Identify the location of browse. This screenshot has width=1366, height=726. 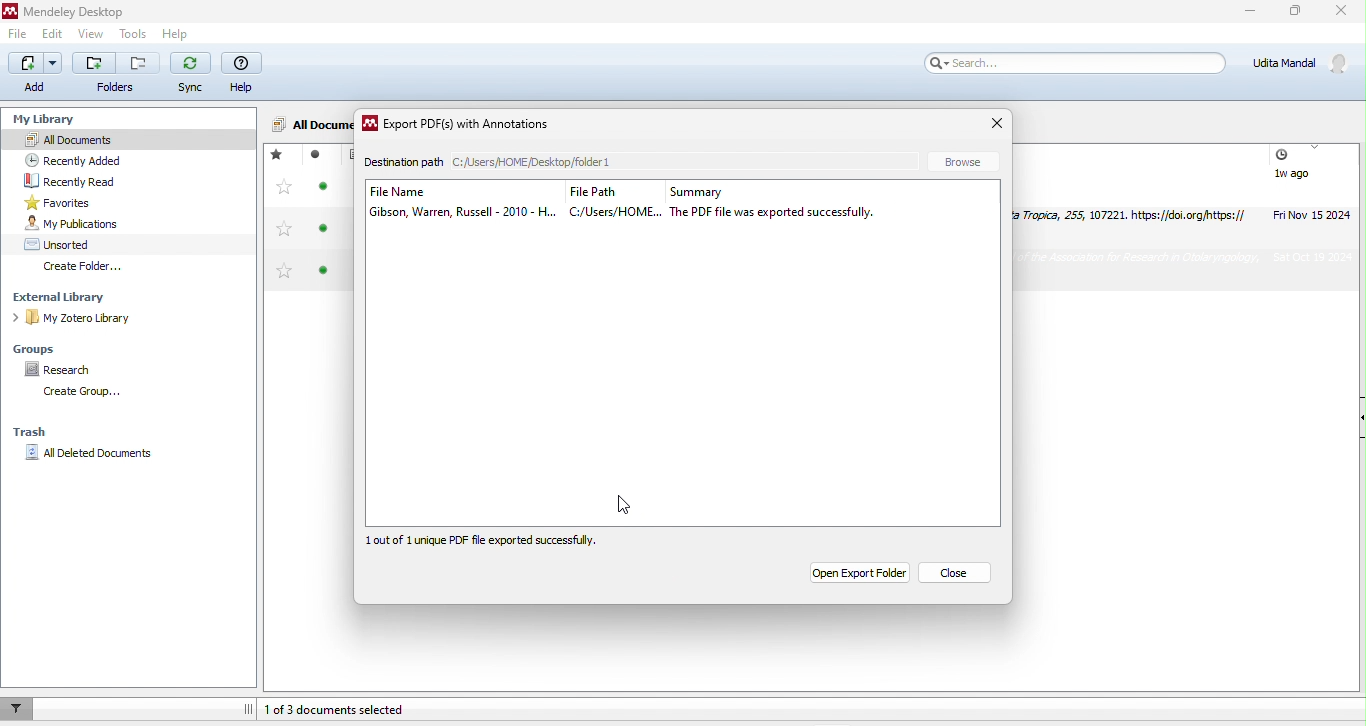
(969, 160).